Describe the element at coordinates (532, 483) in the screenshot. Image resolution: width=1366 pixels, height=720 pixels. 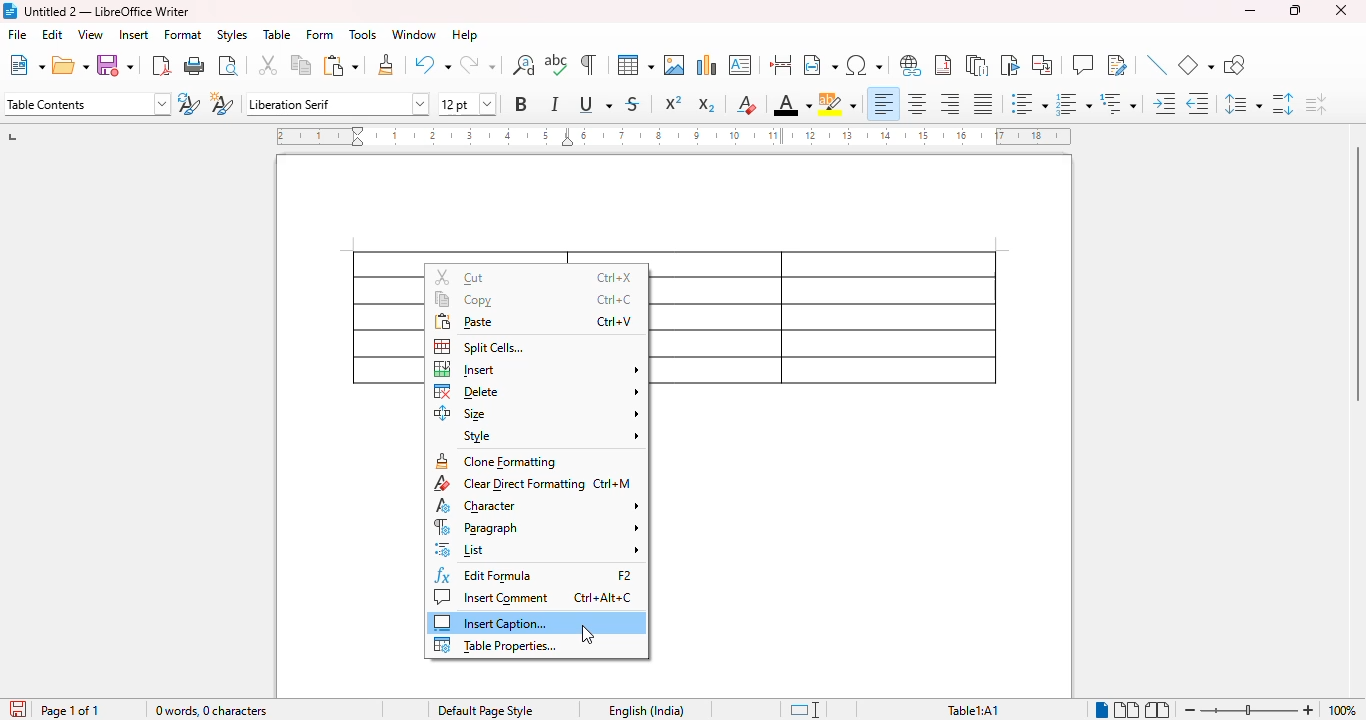
I see `clear direct formatting` at that location.